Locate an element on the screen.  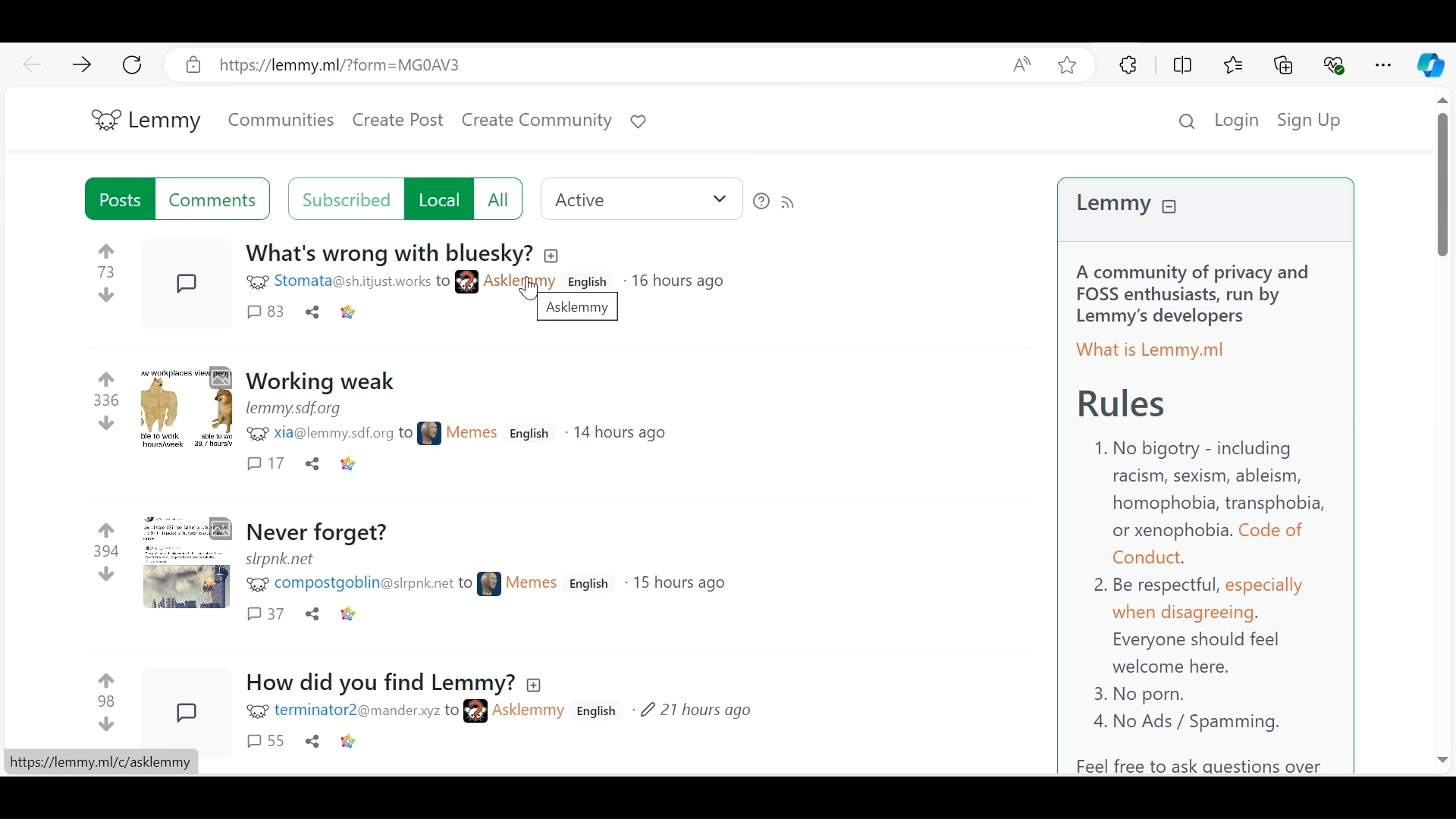
Upvotes and downvotes is located at coordinates (110, 273).